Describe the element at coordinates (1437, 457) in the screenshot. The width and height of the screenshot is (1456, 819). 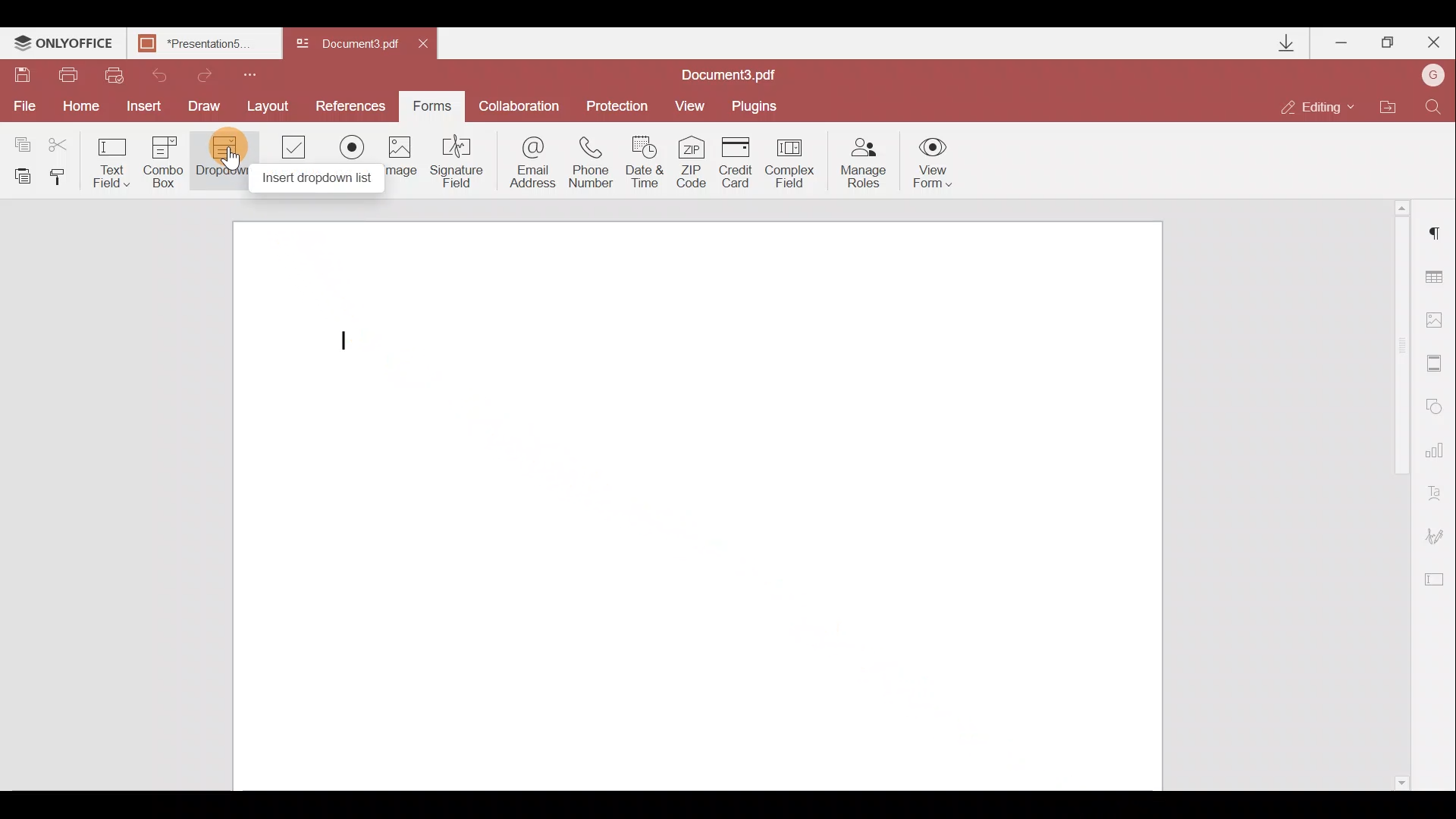
I see `Chart settings` at that location.